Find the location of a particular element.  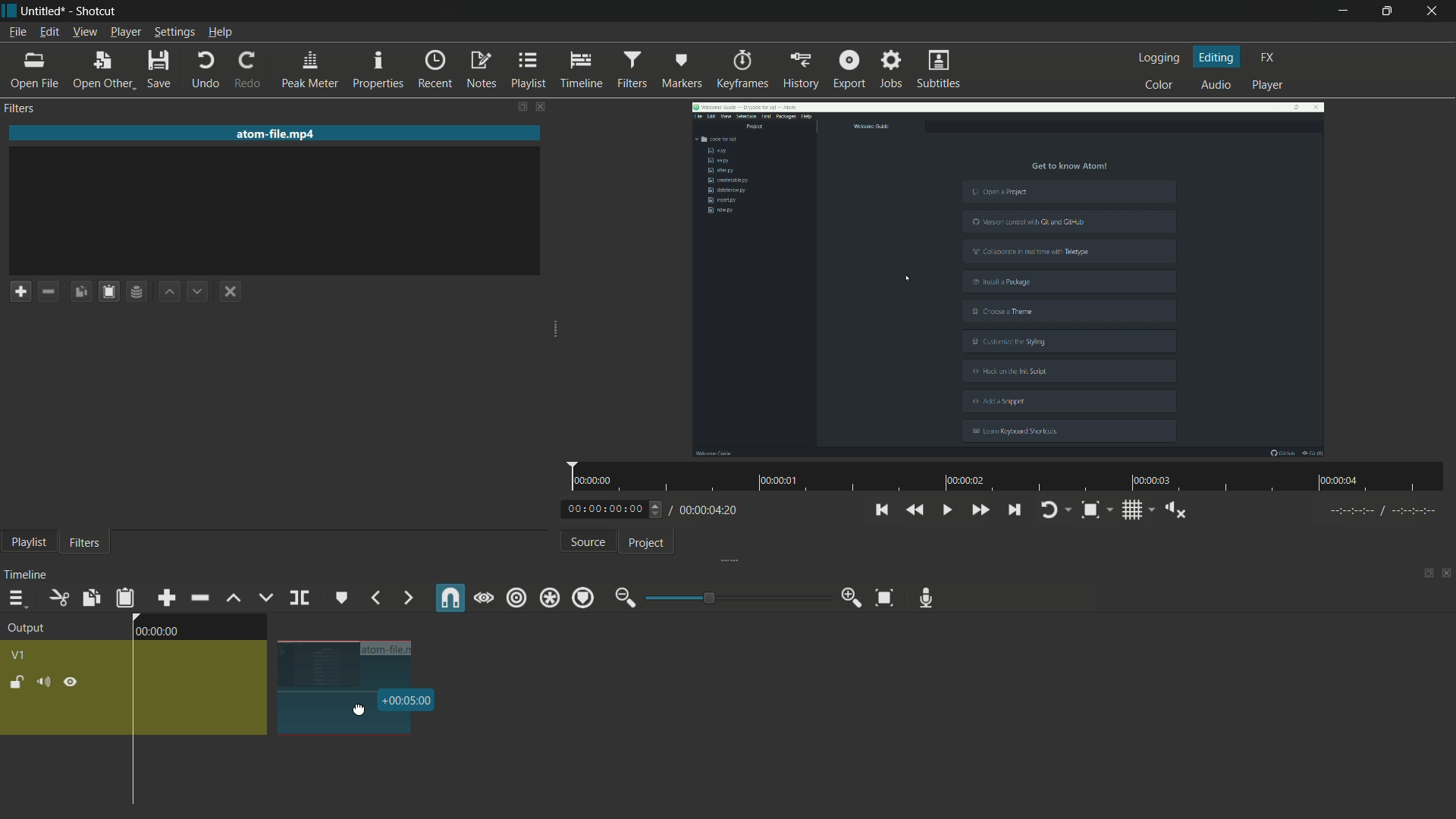

mute/unmute is located at coordinates (44, 681).